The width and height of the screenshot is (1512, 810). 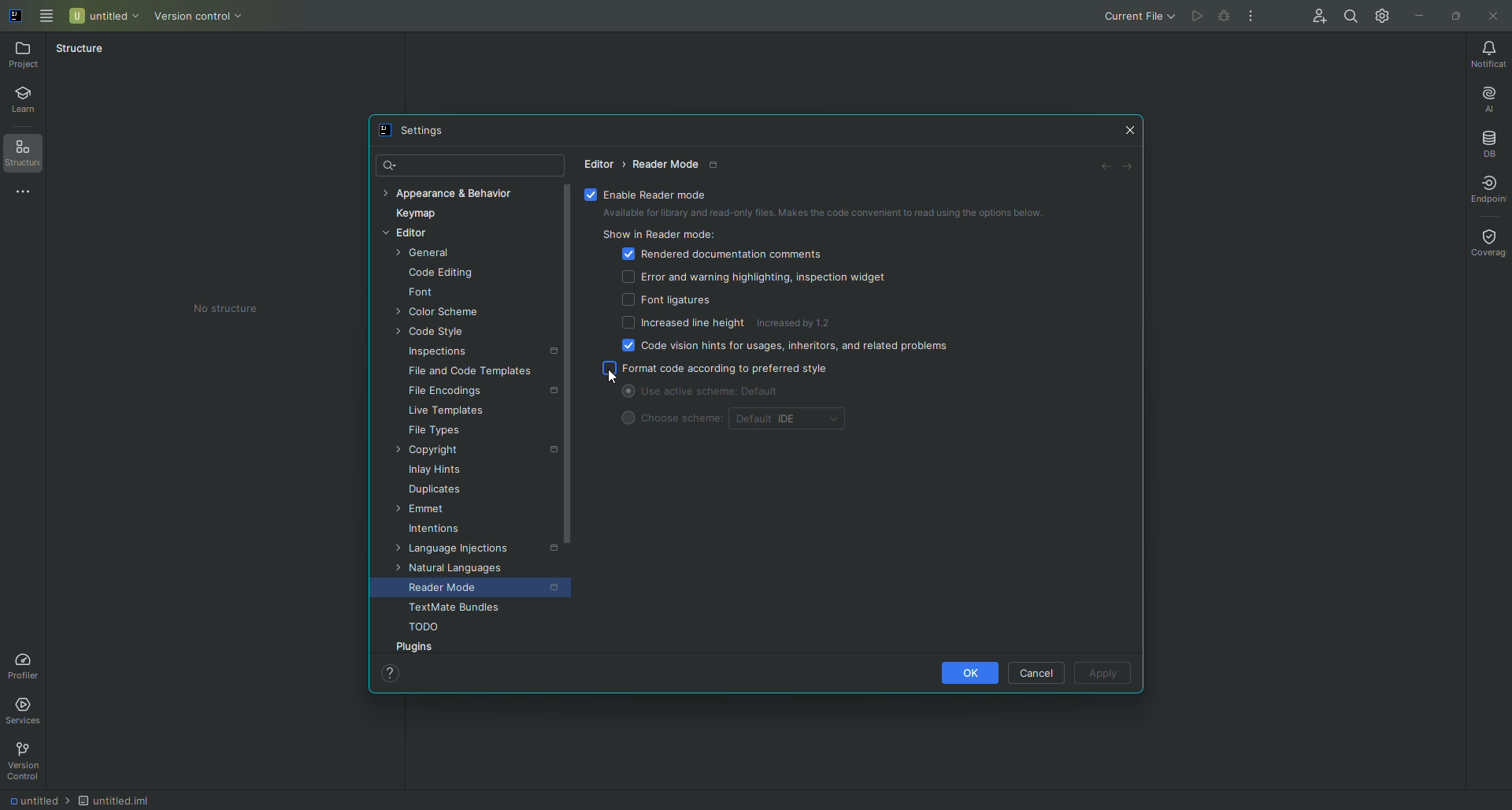 What do you see at coordinates (1495, 16) in the screenshot?
I see `Close` at bounding box center [1495, 16].